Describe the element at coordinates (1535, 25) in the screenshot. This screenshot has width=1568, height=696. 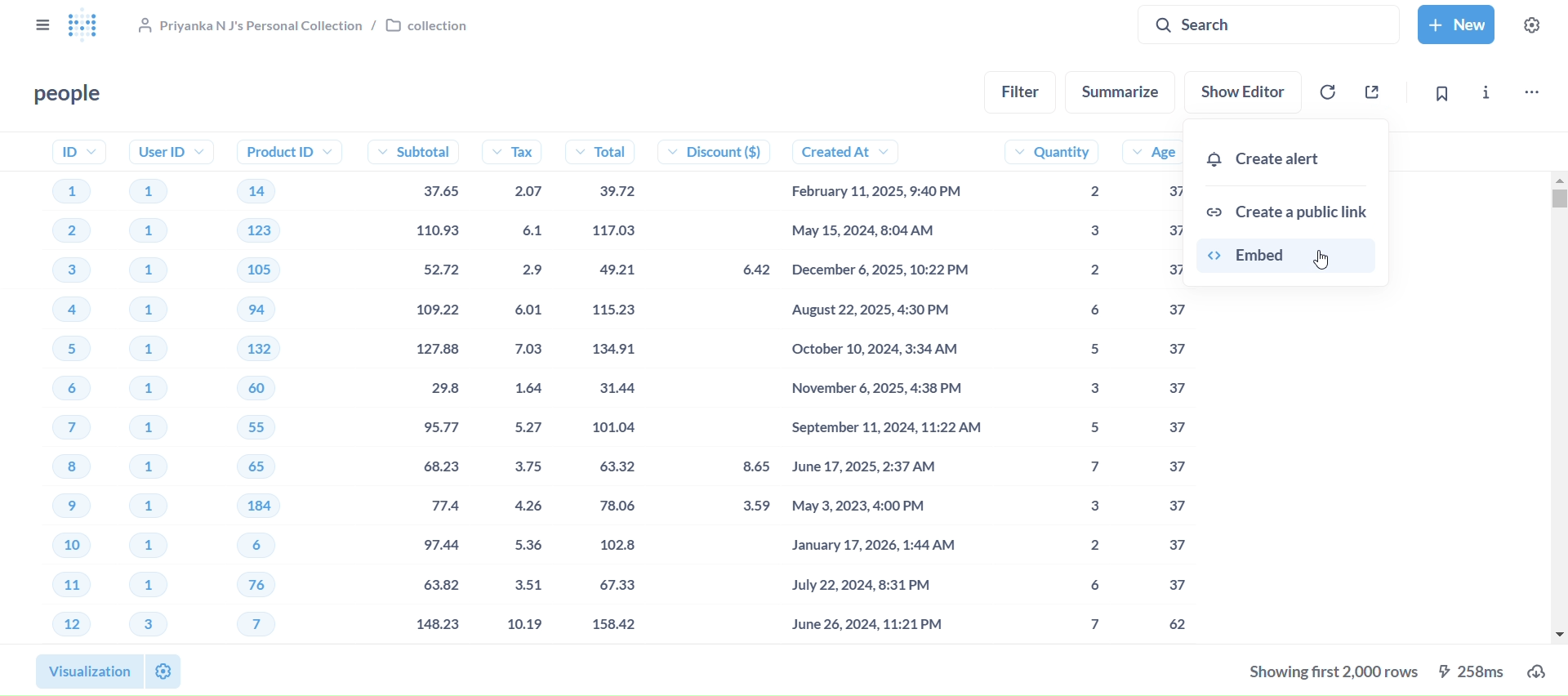
I see `settings` at that location.